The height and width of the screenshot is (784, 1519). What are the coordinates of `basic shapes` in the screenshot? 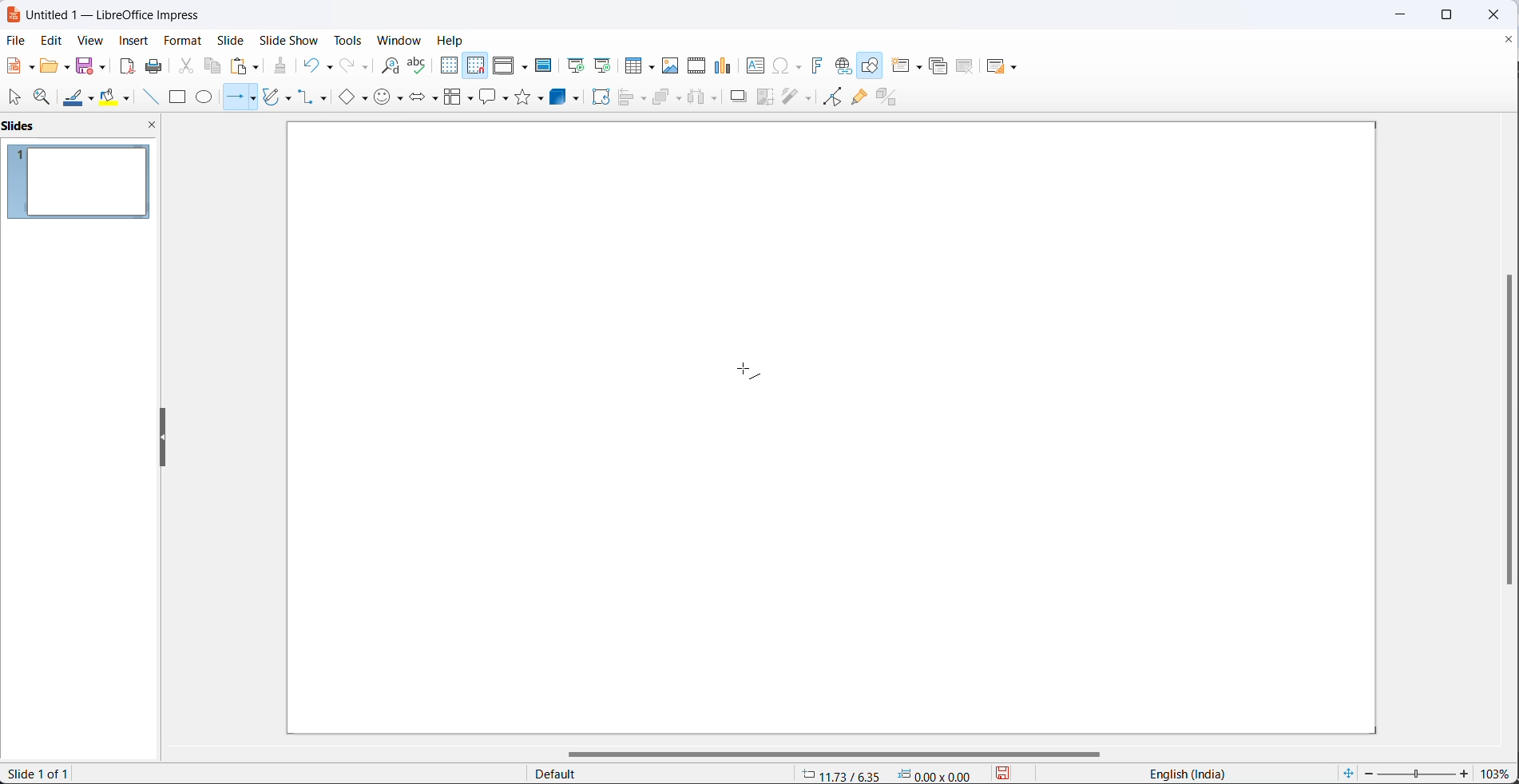 It's located at (351, 98).